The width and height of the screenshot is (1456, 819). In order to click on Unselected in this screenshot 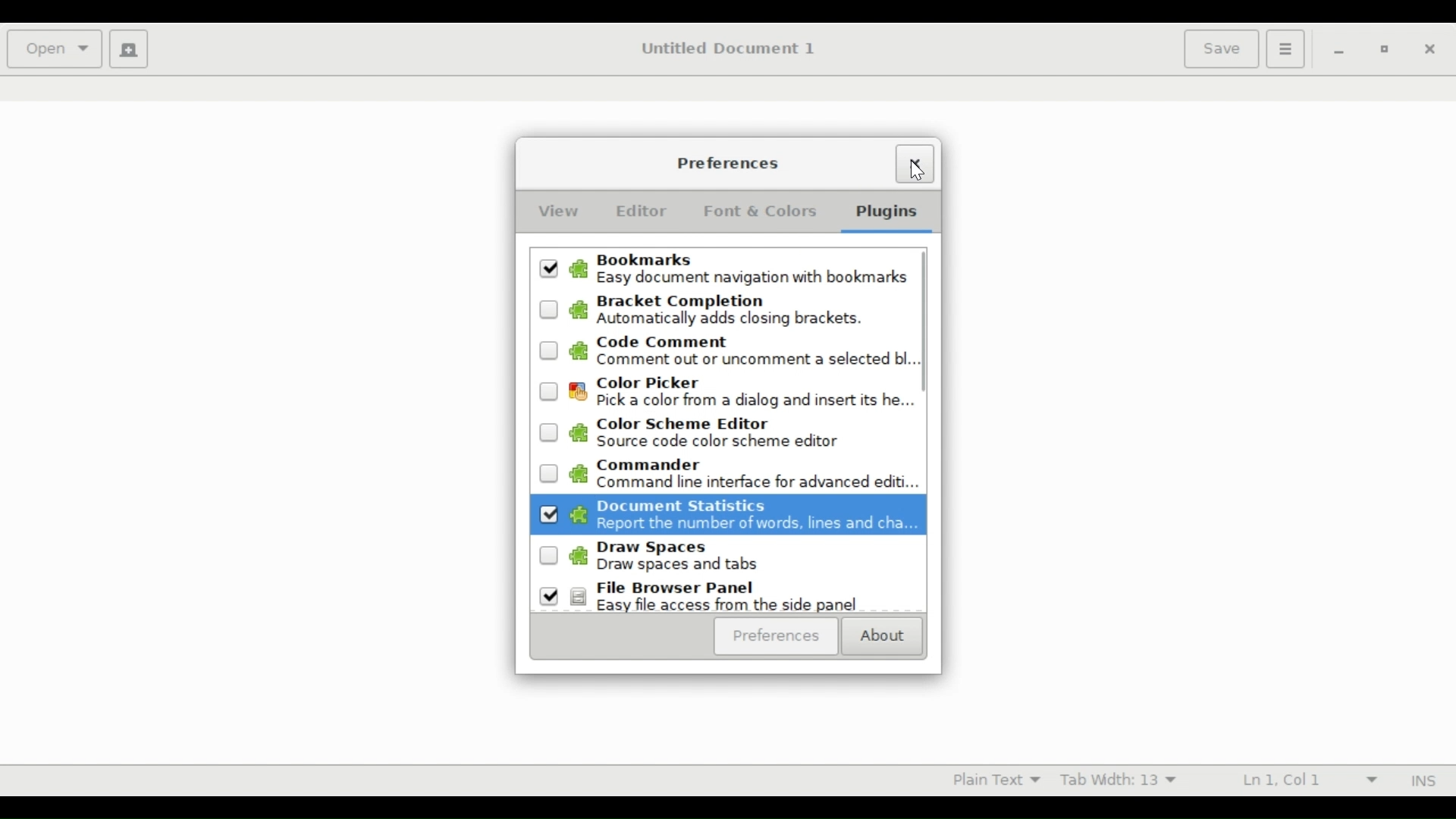, I will do `click(550, 432)`.